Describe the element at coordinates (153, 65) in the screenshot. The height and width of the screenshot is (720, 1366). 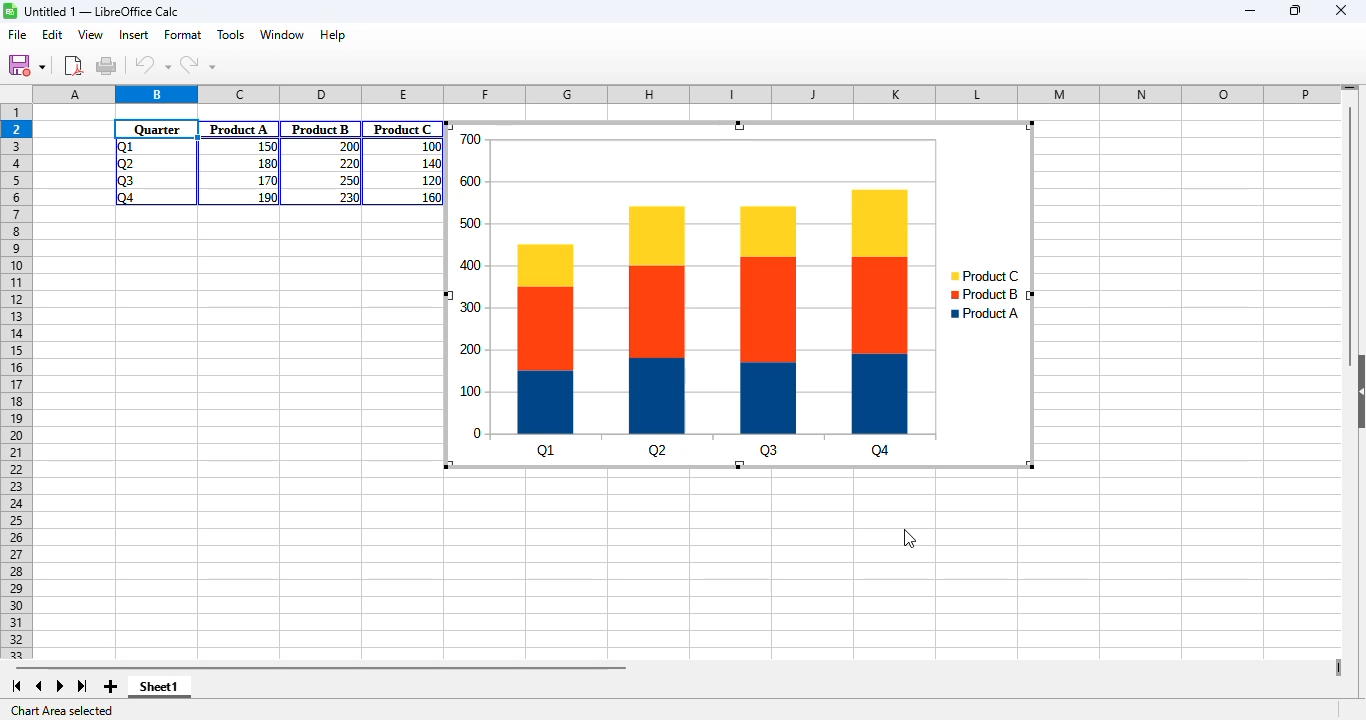
I see `undo` at that location.